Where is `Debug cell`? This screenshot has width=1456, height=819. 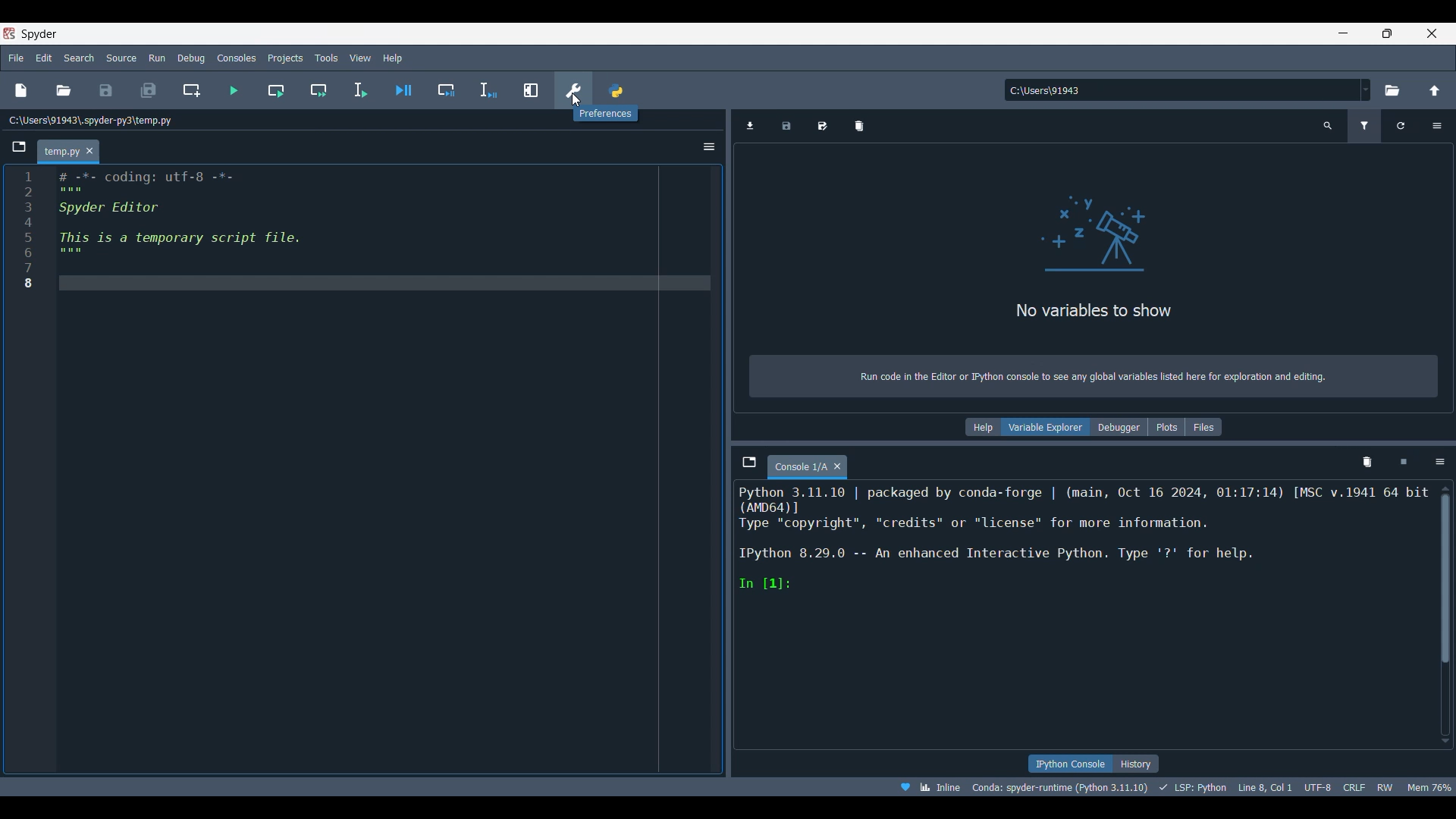
Debug cell is located at coordinates (446, 90).